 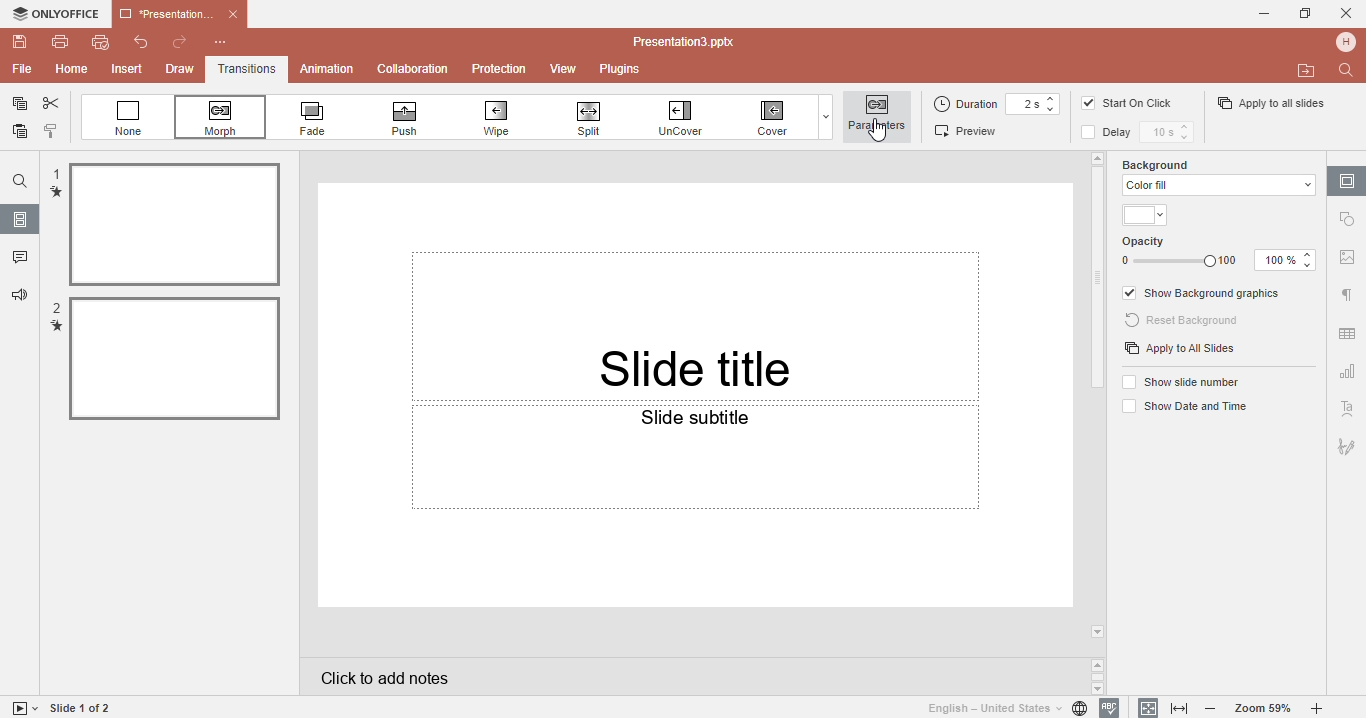 What do you see at coordinates (1347, 261) in the screenshot?
I see `Image settings` at bounding box center [1347, 261].